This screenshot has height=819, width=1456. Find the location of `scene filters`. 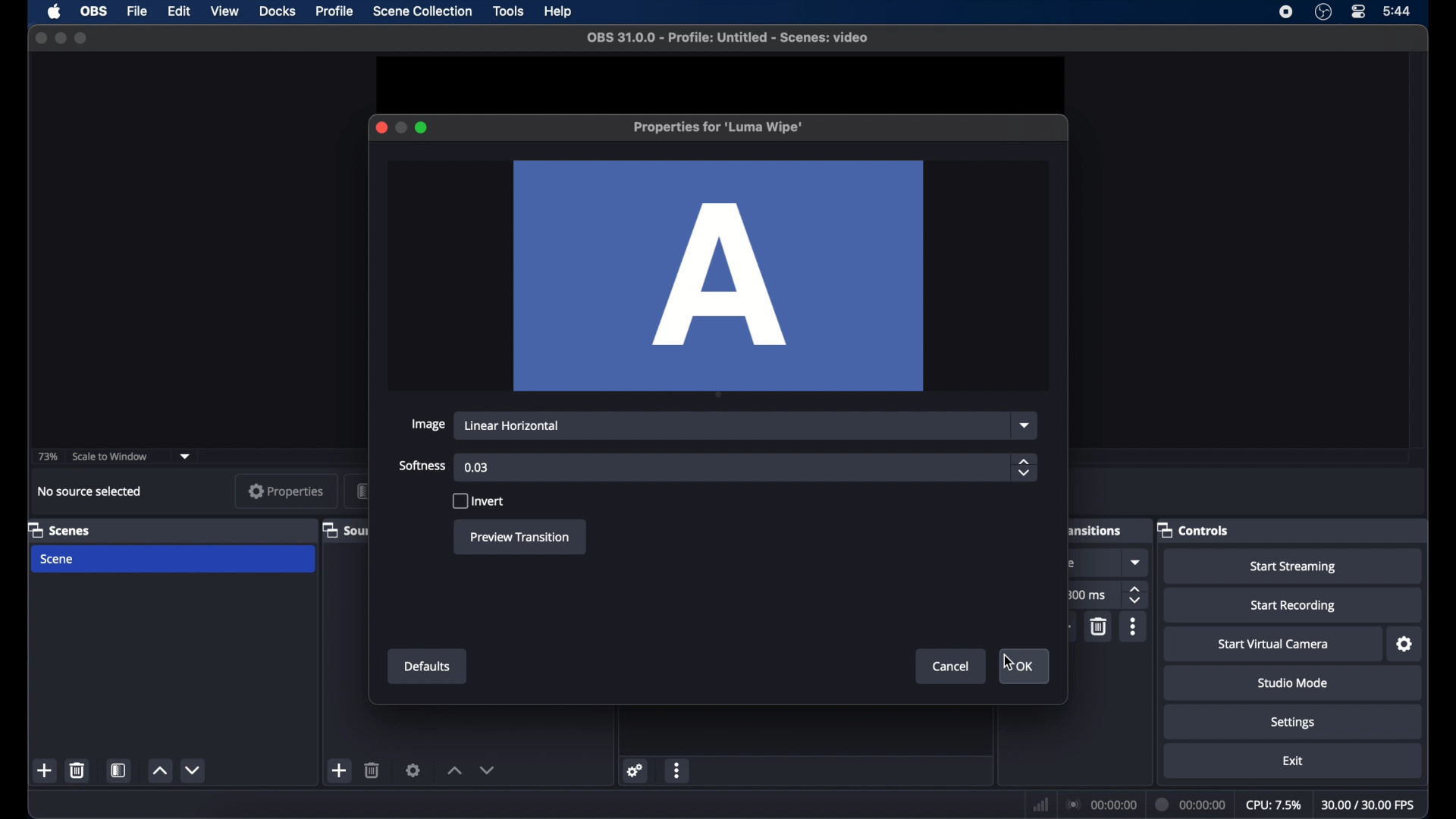

scene filters is located at coordinates (118, 770).